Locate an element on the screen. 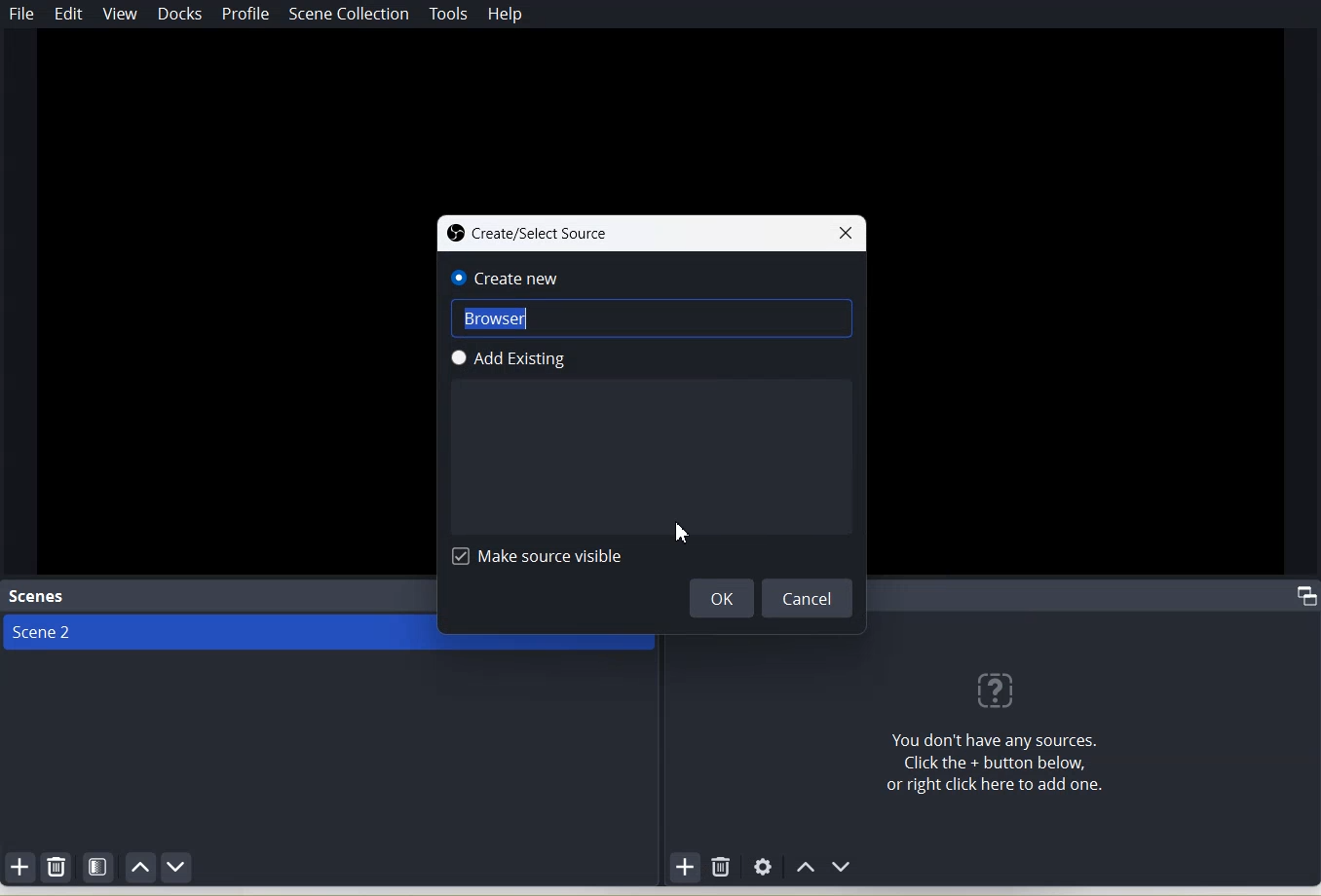 This screenshot has height=896, width=1321. Remove selected Scene is located at coordinates (57, 868).